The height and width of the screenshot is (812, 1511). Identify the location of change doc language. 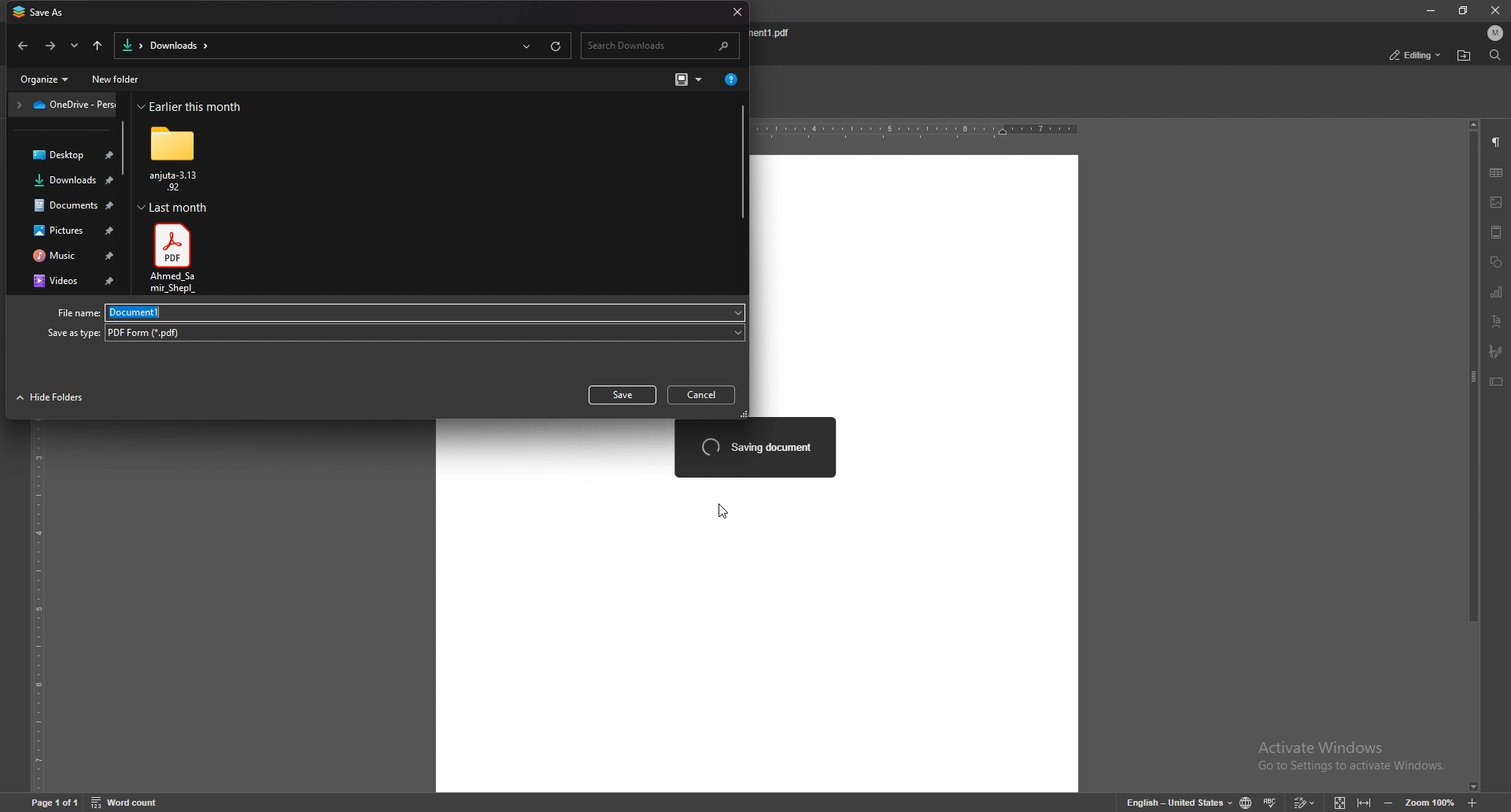
(1247, 802).